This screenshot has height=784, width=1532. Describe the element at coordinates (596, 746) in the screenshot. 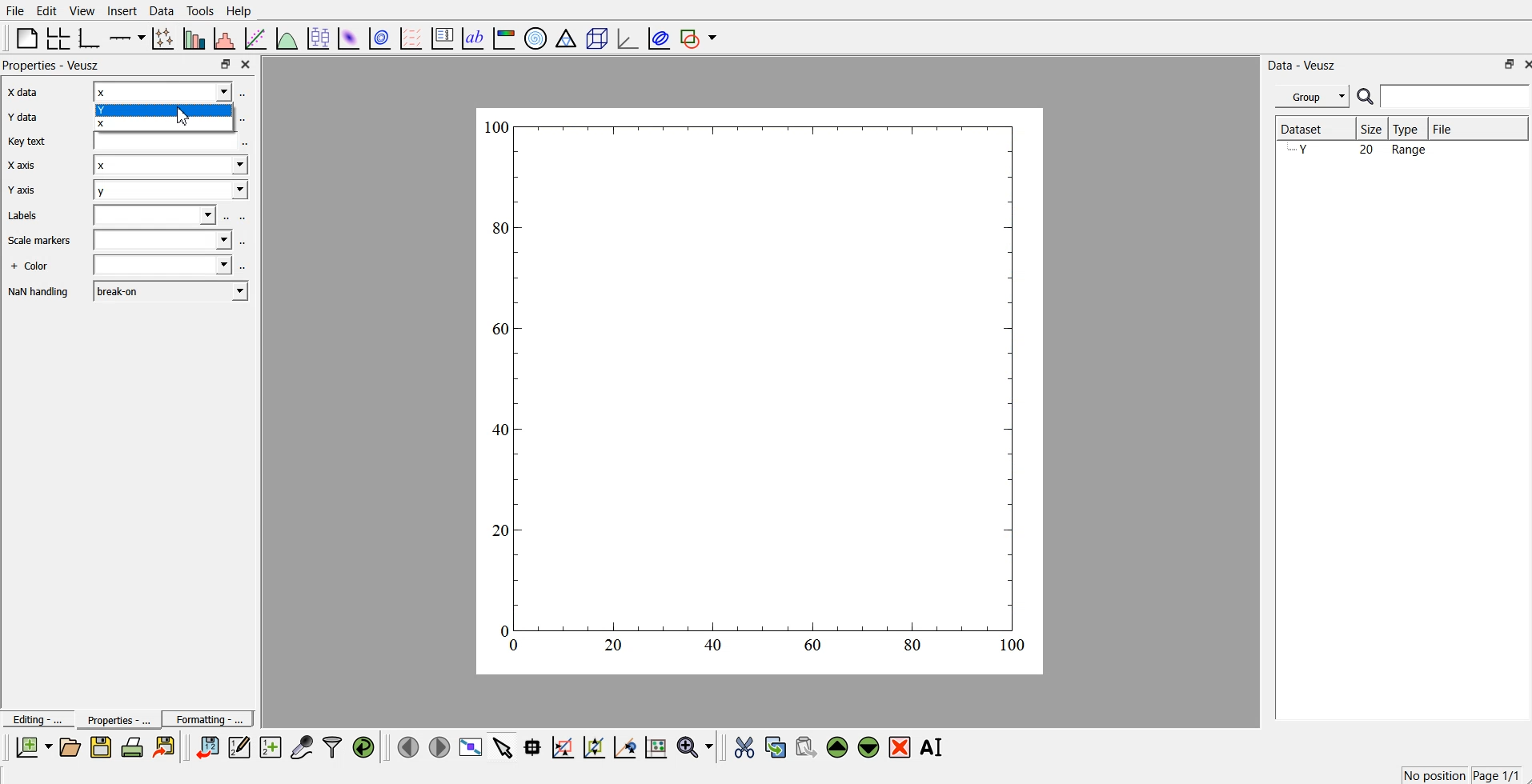

I see `click to zoom` at that location.